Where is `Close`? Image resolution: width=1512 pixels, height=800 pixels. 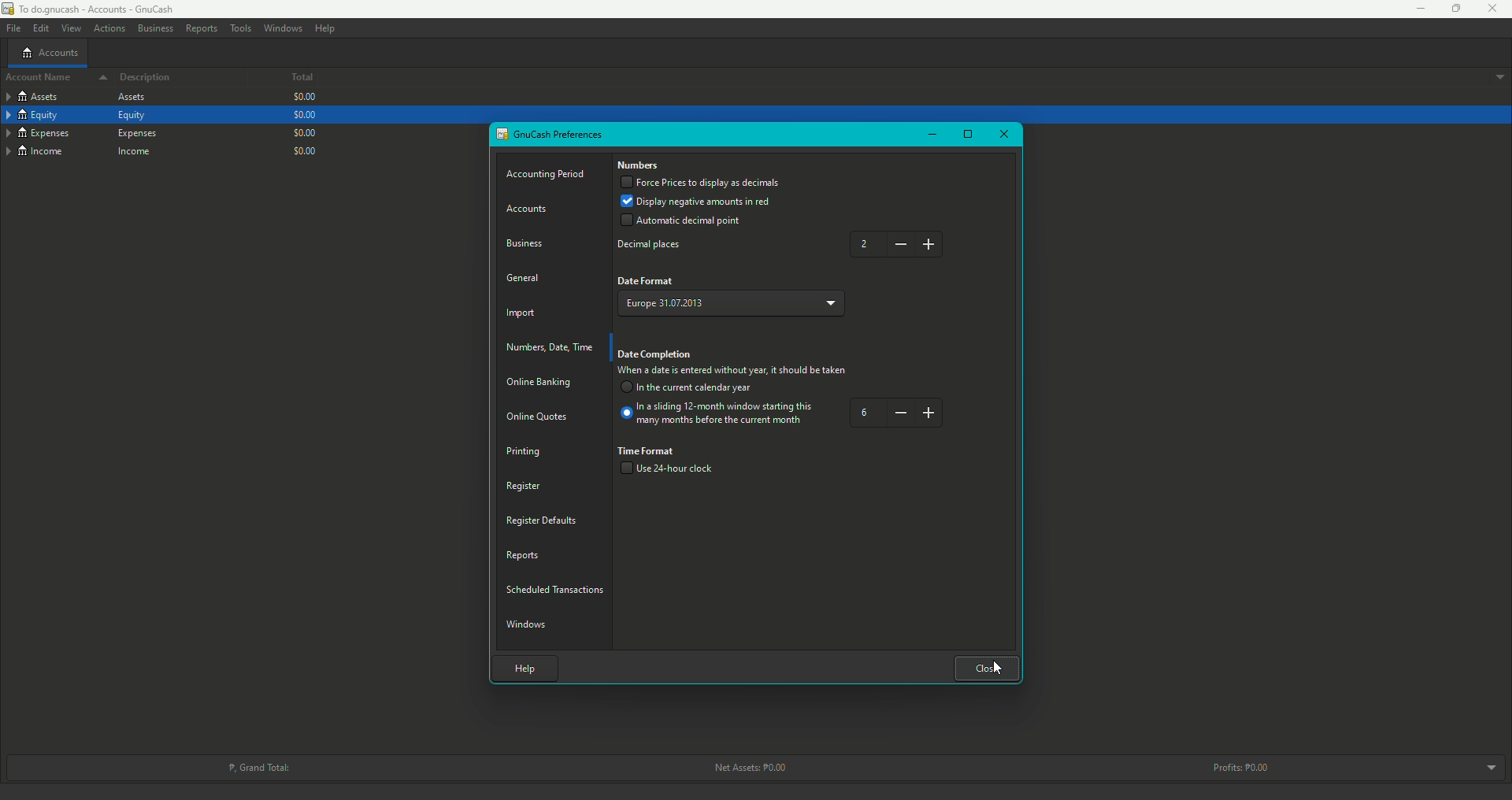 Close is located at coordinates (1493, 9).